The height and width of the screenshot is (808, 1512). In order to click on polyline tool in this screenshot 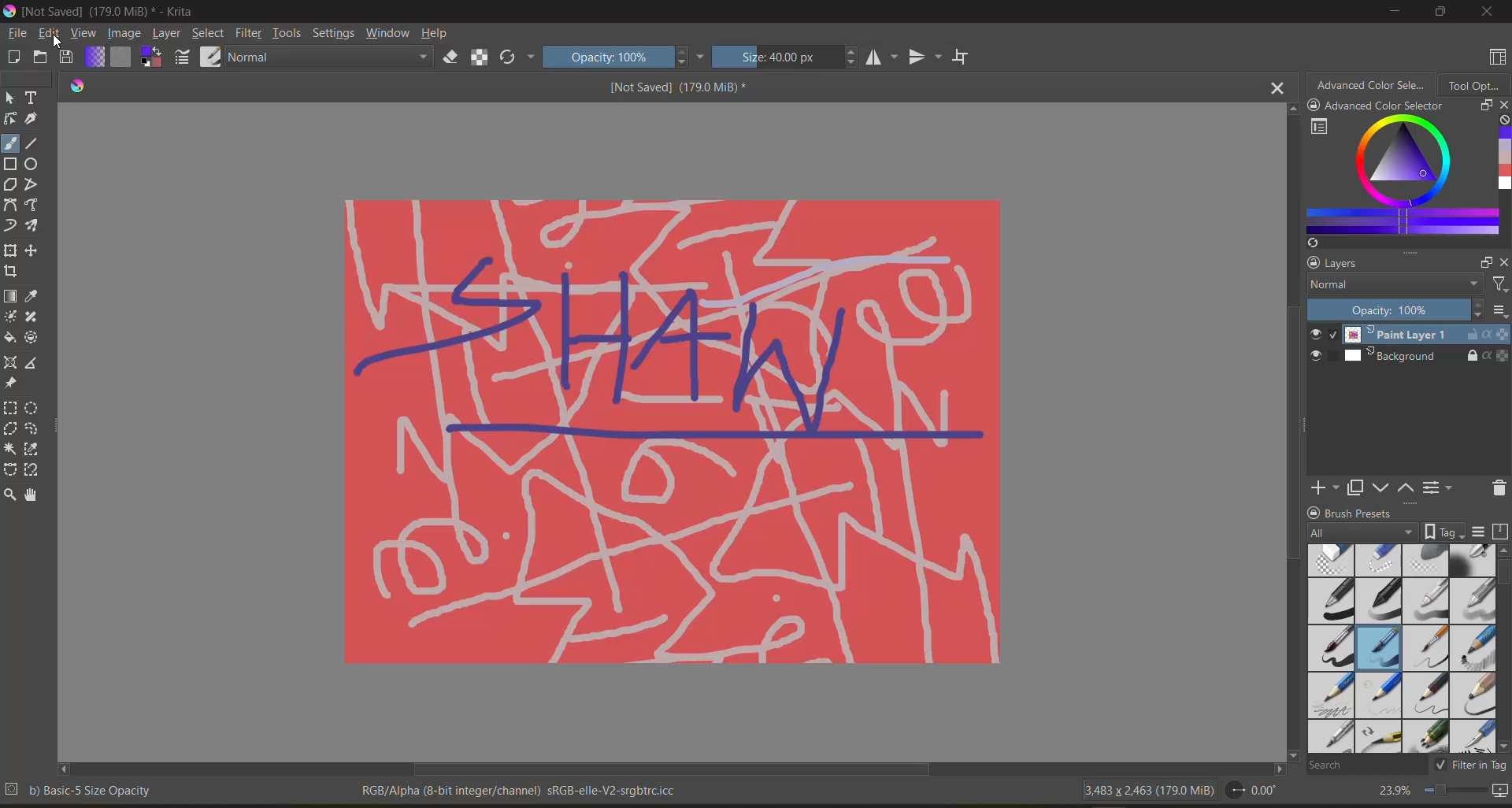, I will do `click(32, 183)`.